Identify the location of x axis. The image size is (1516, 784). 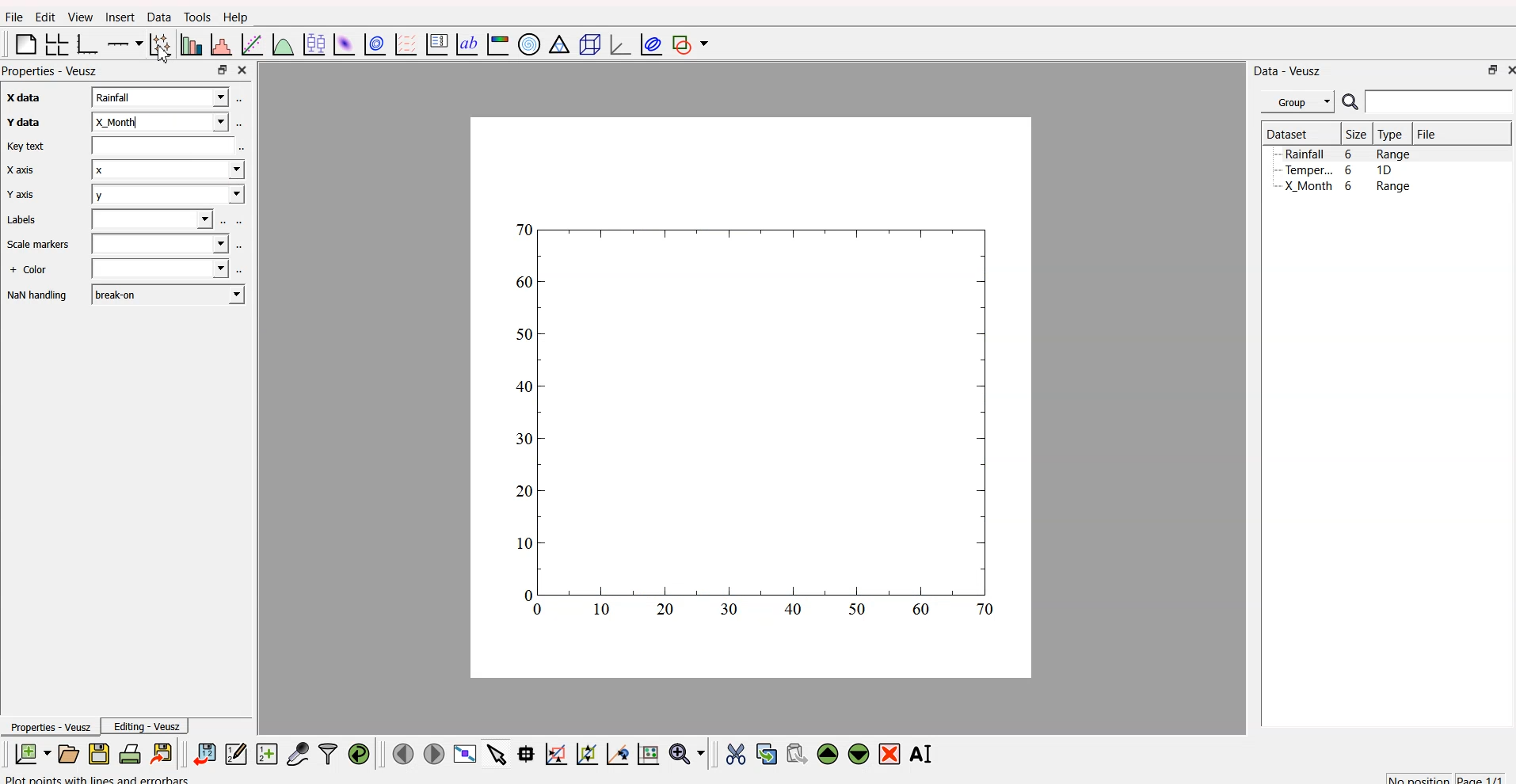
(19, 99).